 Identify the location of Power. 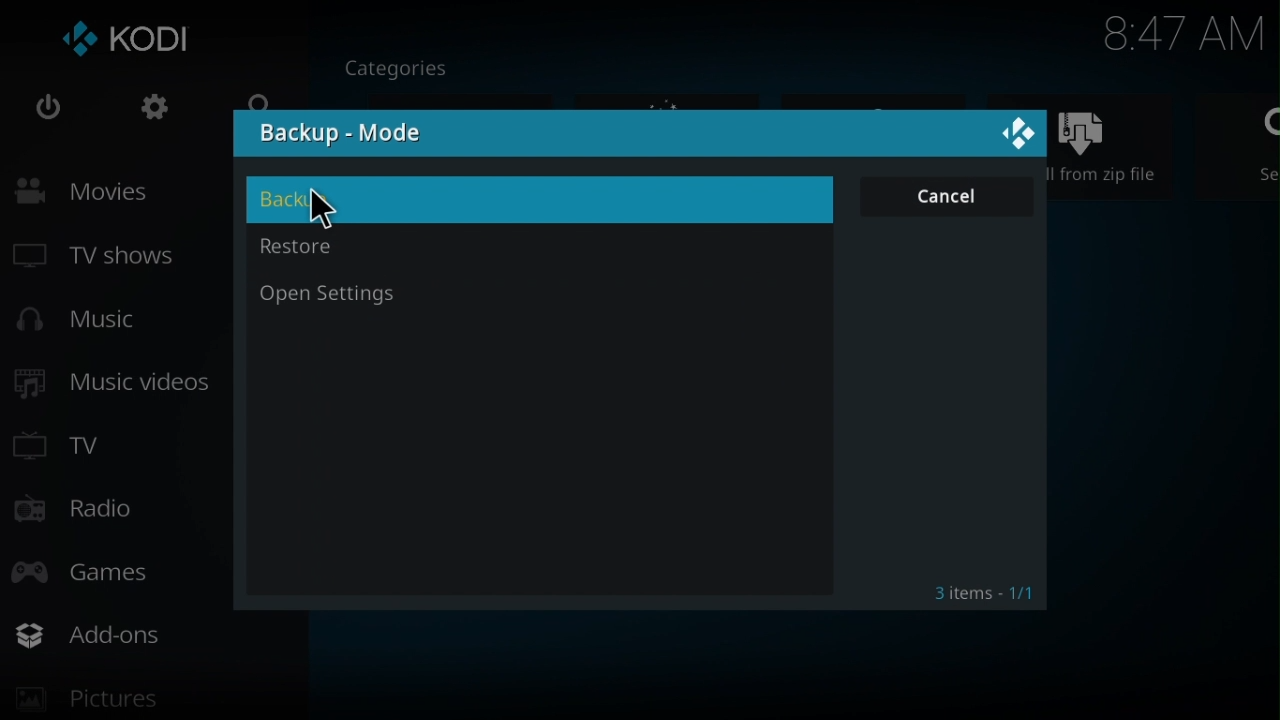
(48, 111).